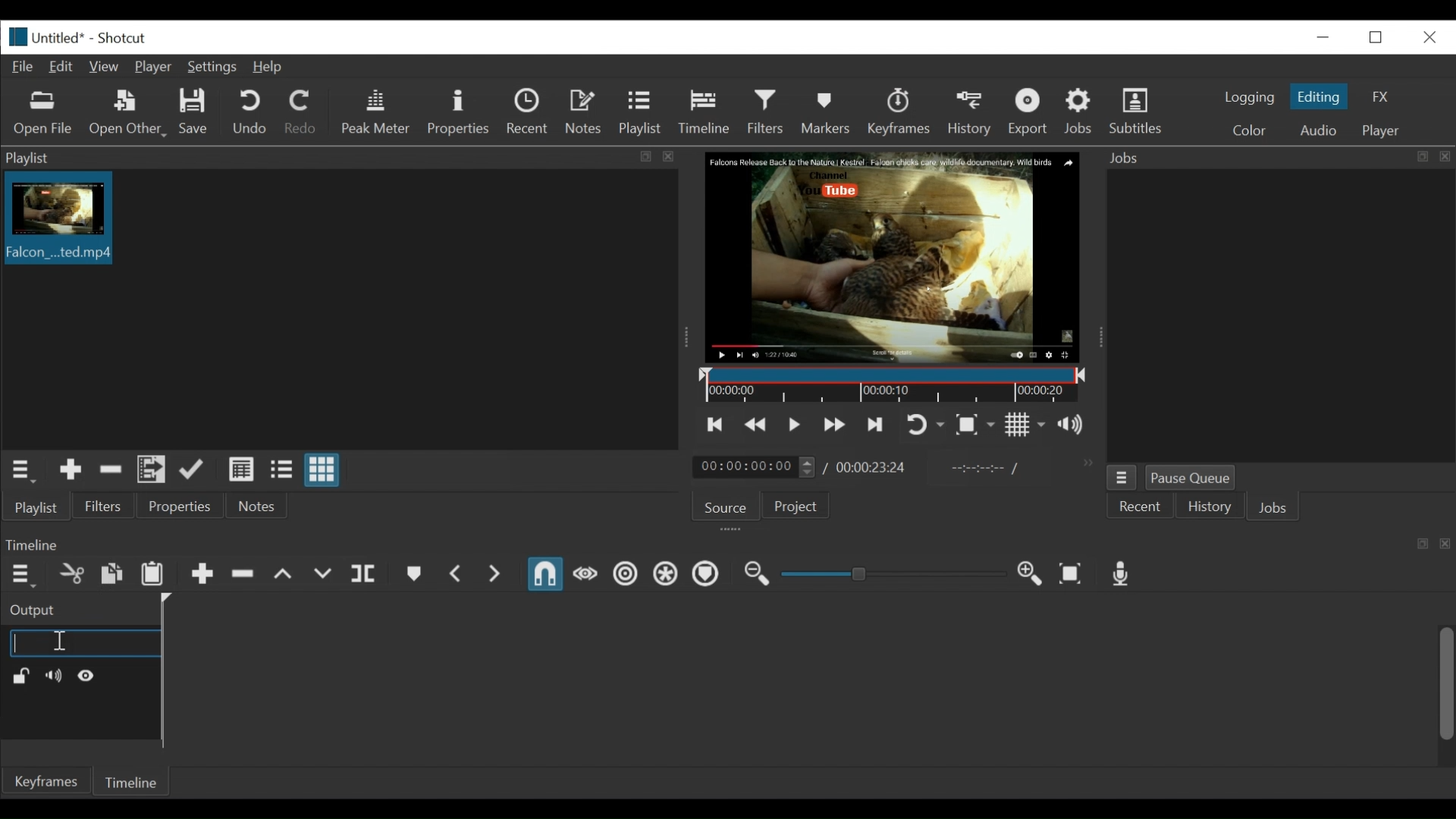  What do you see at coordinates (125, 113) in the screenshot?
I see `Open Other` at bounding box center [125, 113].